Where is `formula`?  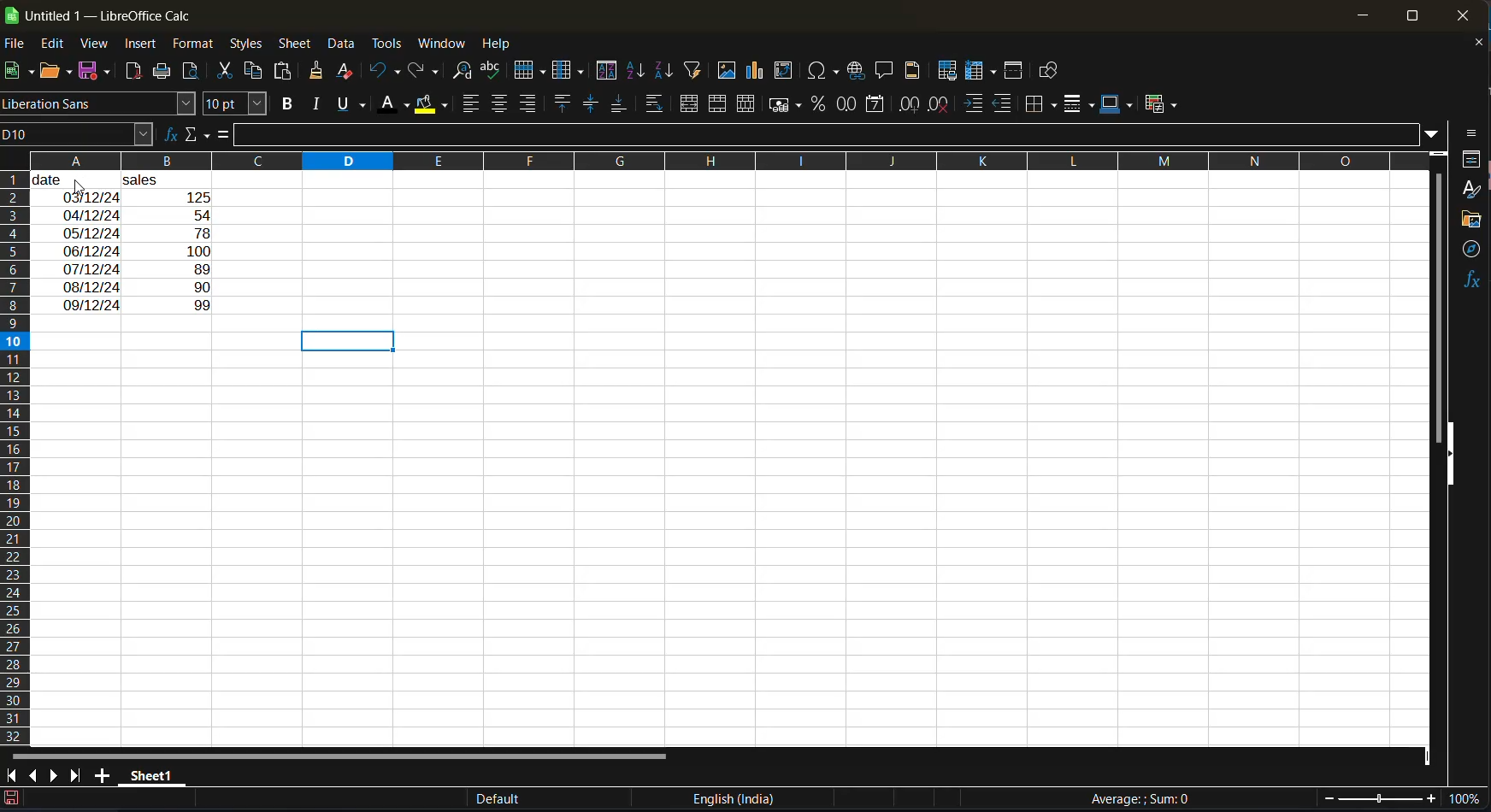
formula is located at coordinates (224, 134).